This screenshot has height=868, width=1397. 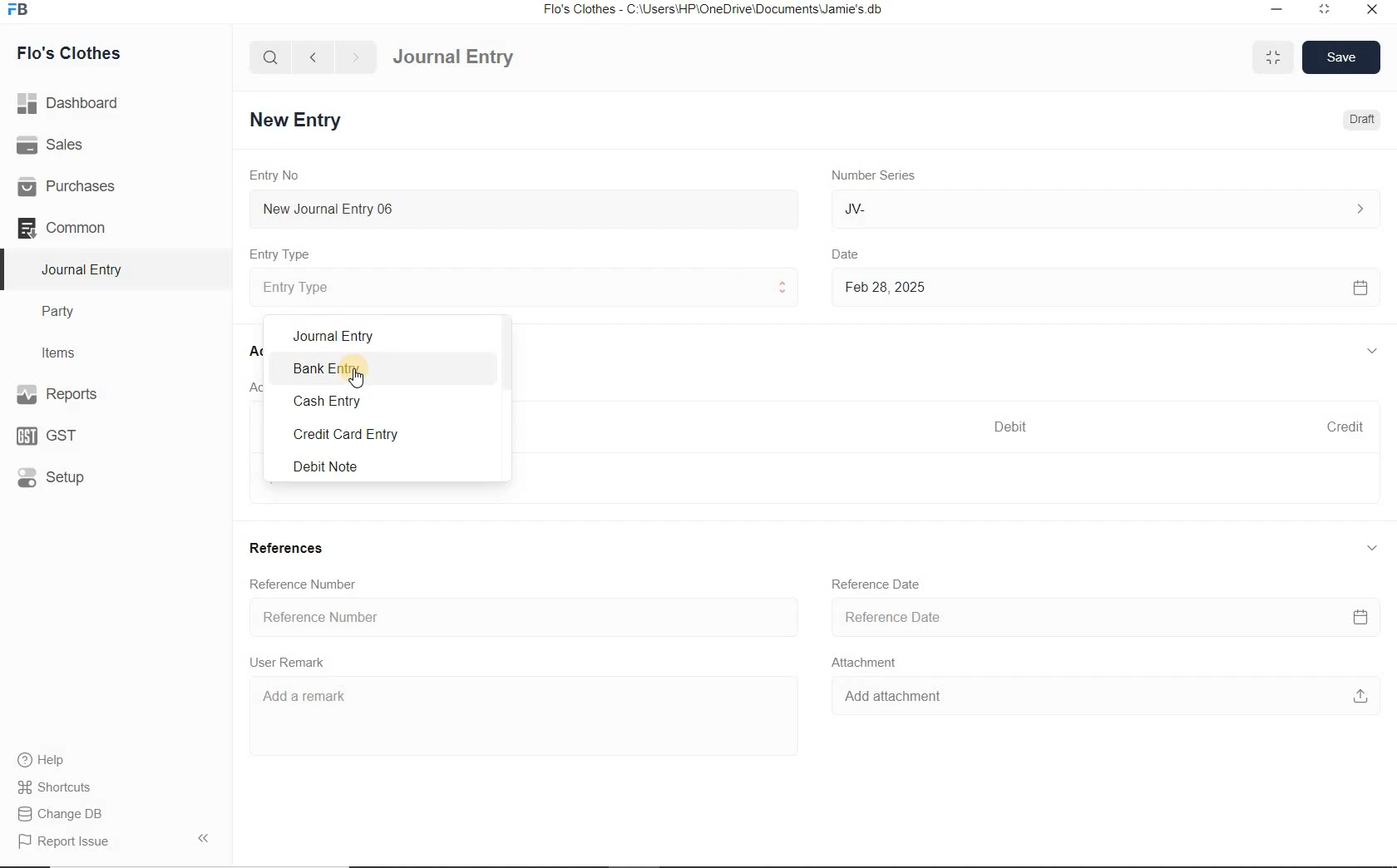 What do you see at coordinates (74, 101) in the screenshot?
I see `Dashboard` at bounding box center [74, 101].